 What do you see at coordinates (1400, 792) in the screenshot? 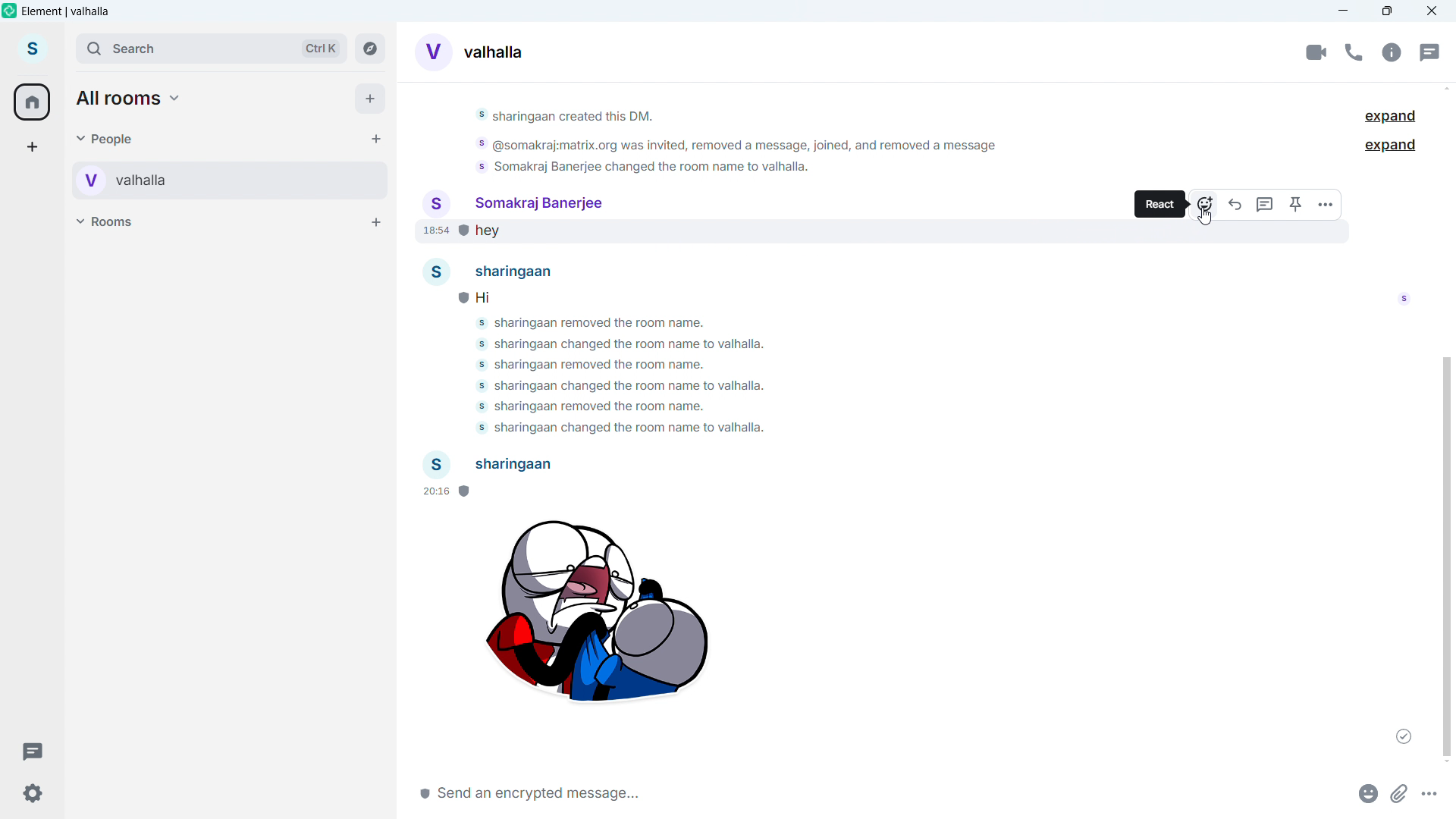
I see `Attachments` at bounding box center [1400, 792].